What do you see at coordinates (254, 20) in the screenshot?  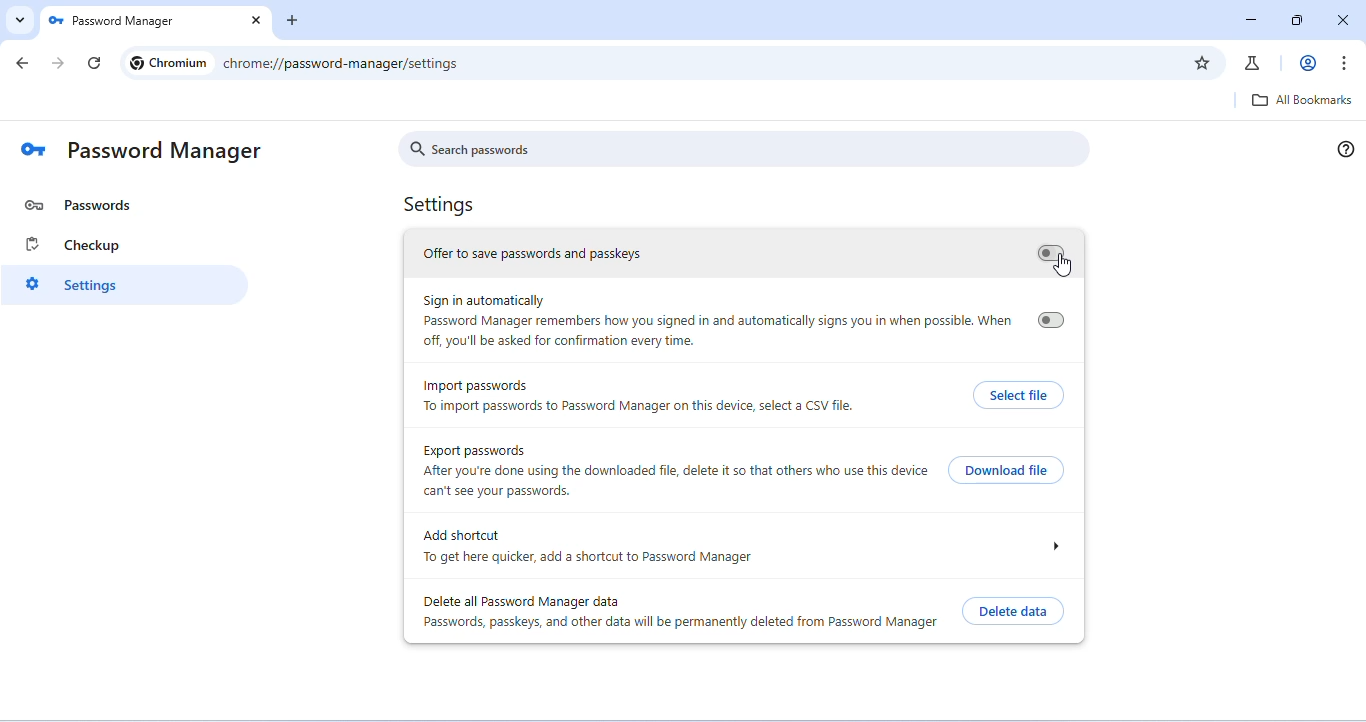 I see `close tab` at bounding box center [254, 20].